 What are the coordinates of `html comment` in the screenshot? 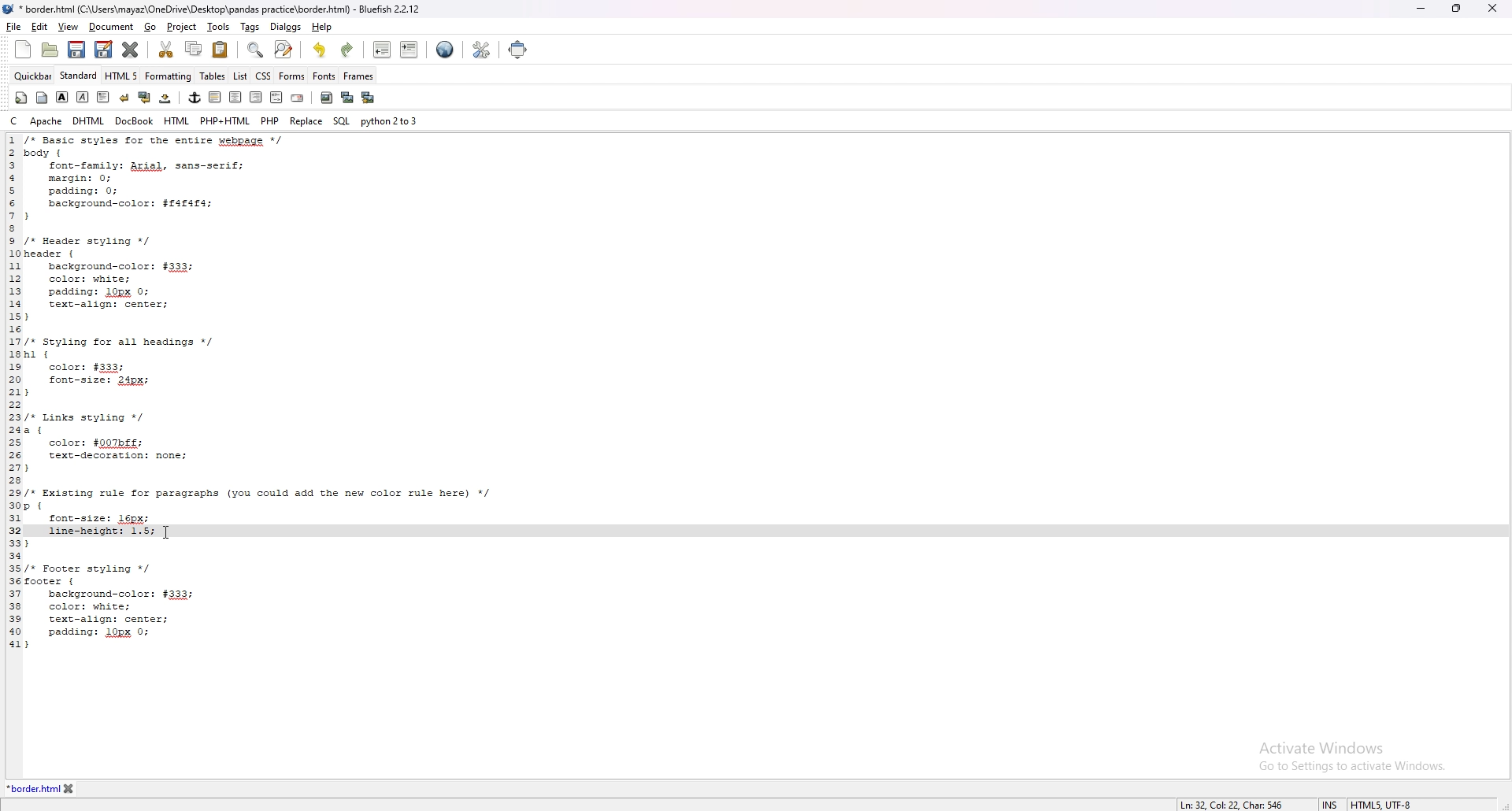 It's located at (277, 97).